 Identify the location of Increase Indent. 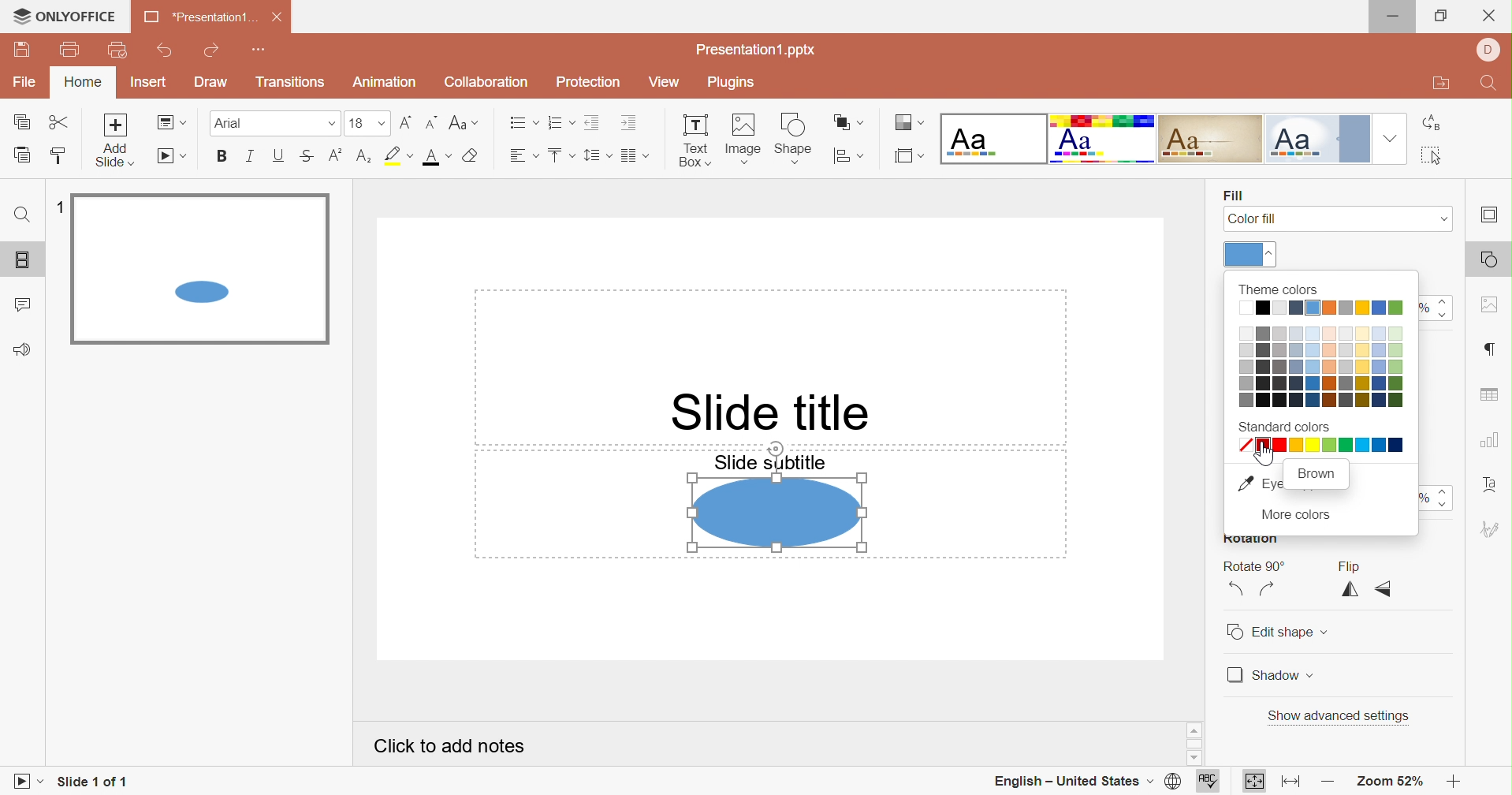
(627, 123).